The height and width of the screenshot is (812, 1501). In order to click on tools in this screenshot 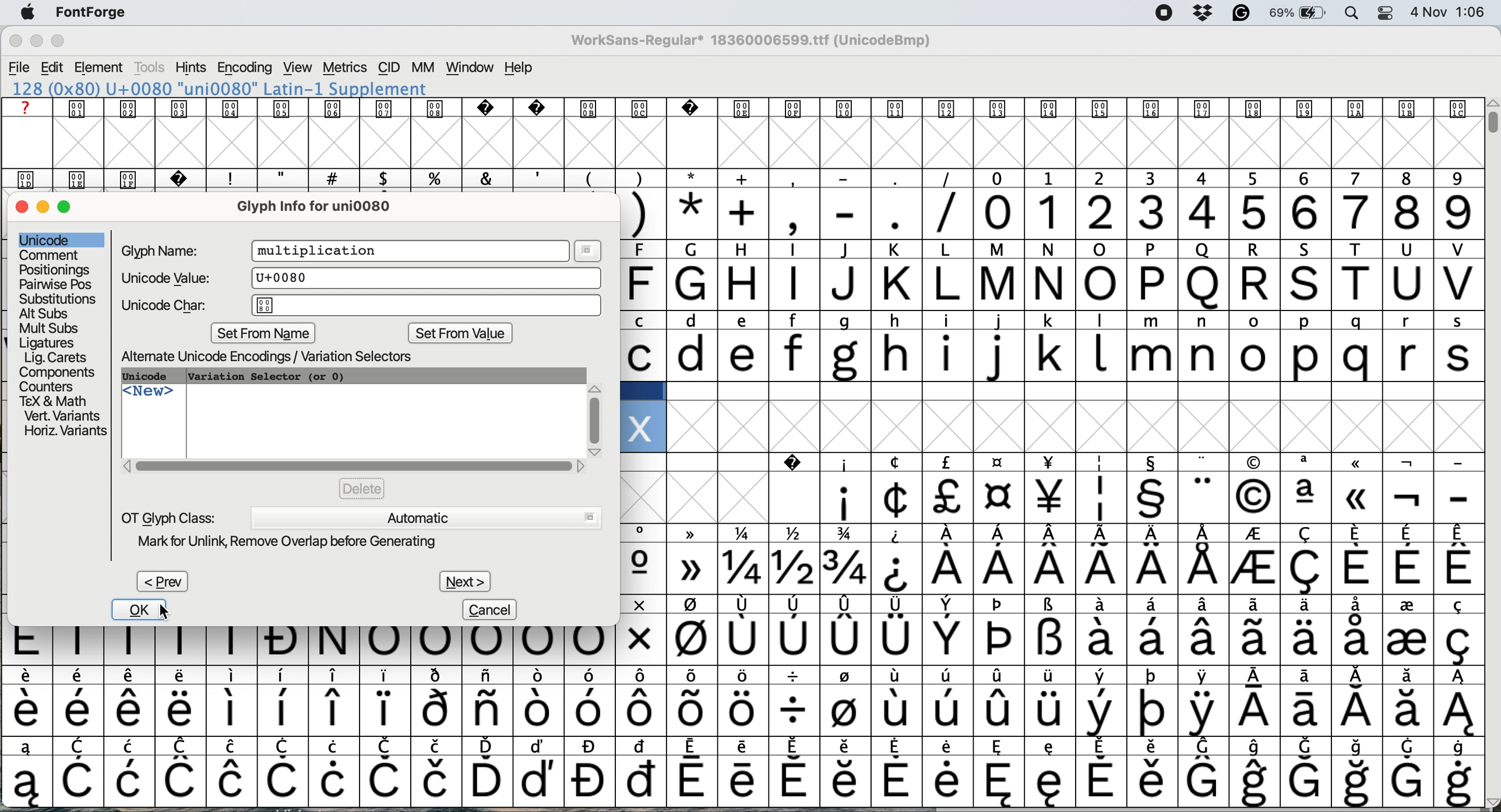, I will do `click(150, 68)`.